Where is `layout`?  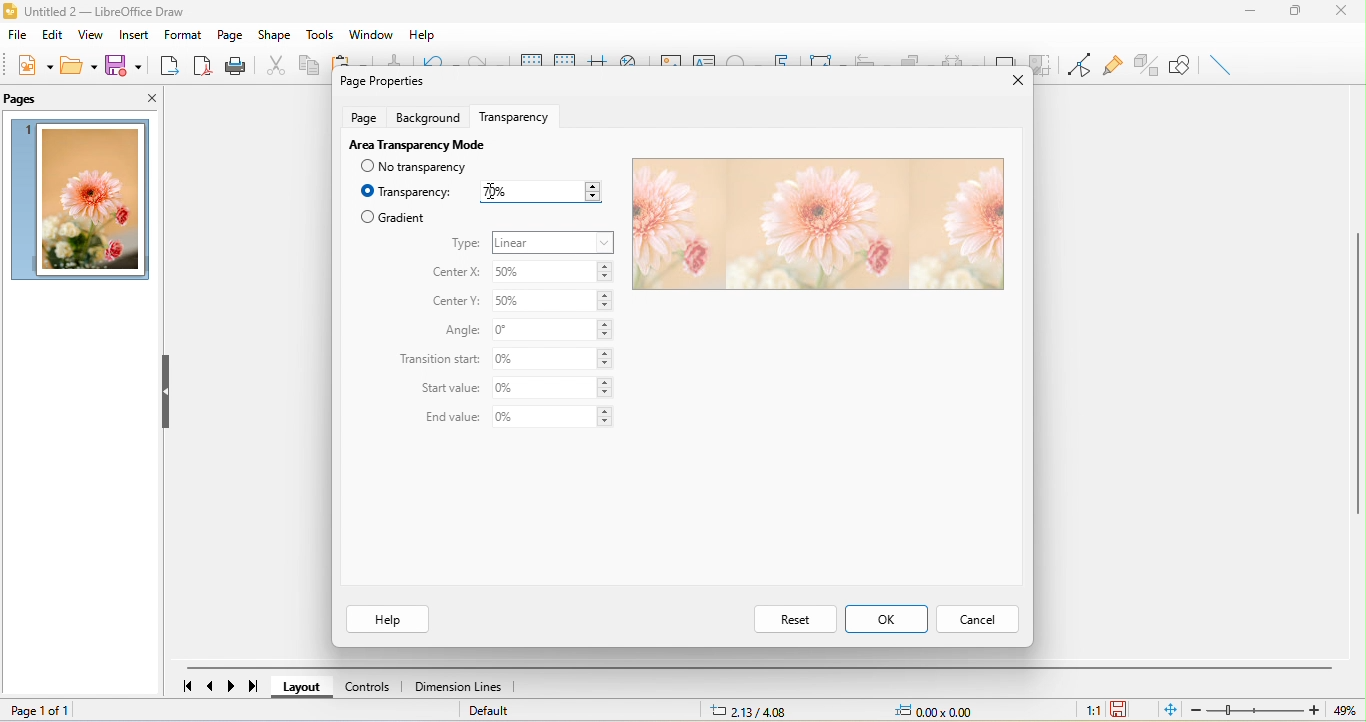
layout is located at coordinates (307, 687).